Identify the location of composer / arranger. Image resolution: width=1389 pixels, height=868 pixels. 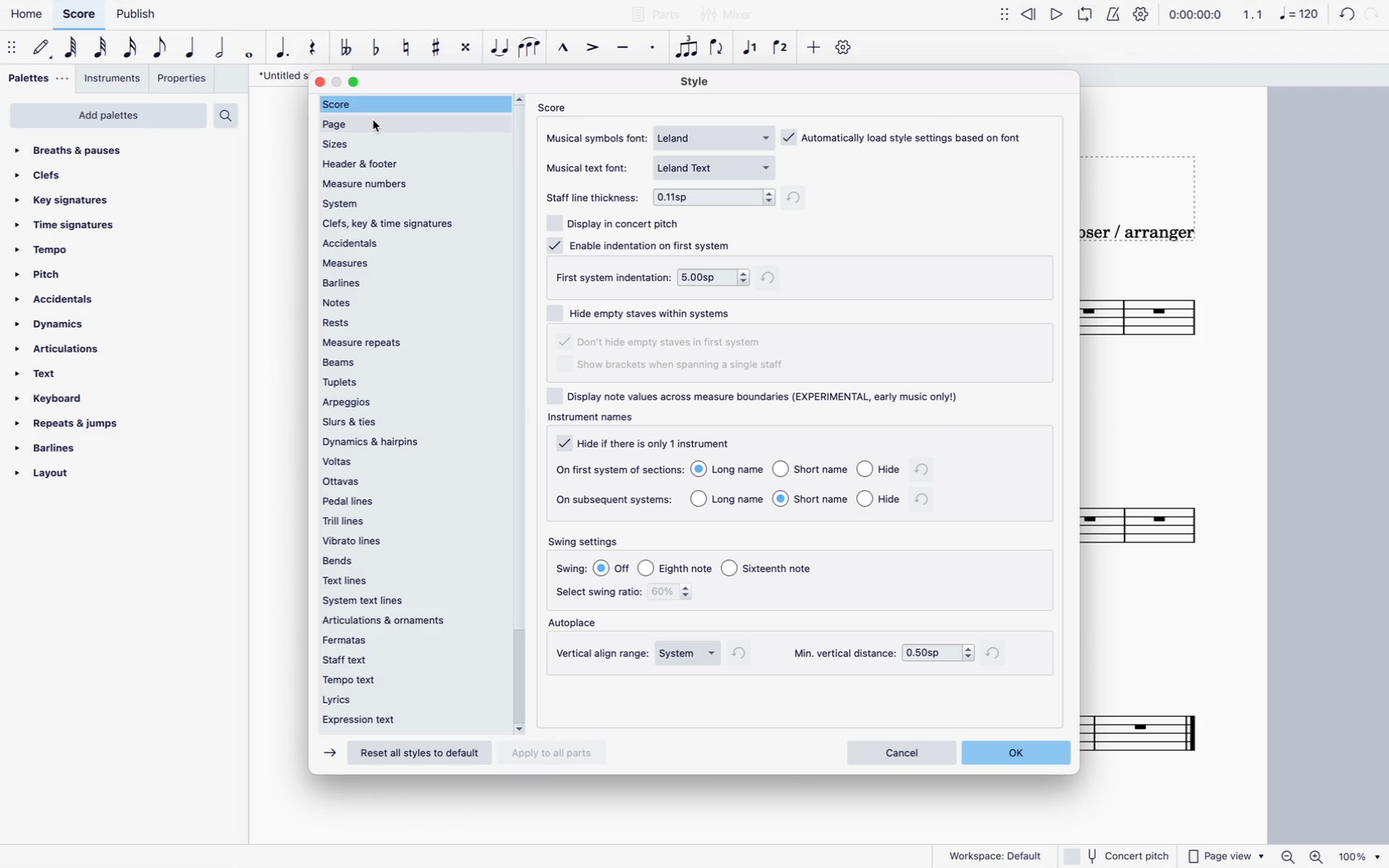
(1143, 237).